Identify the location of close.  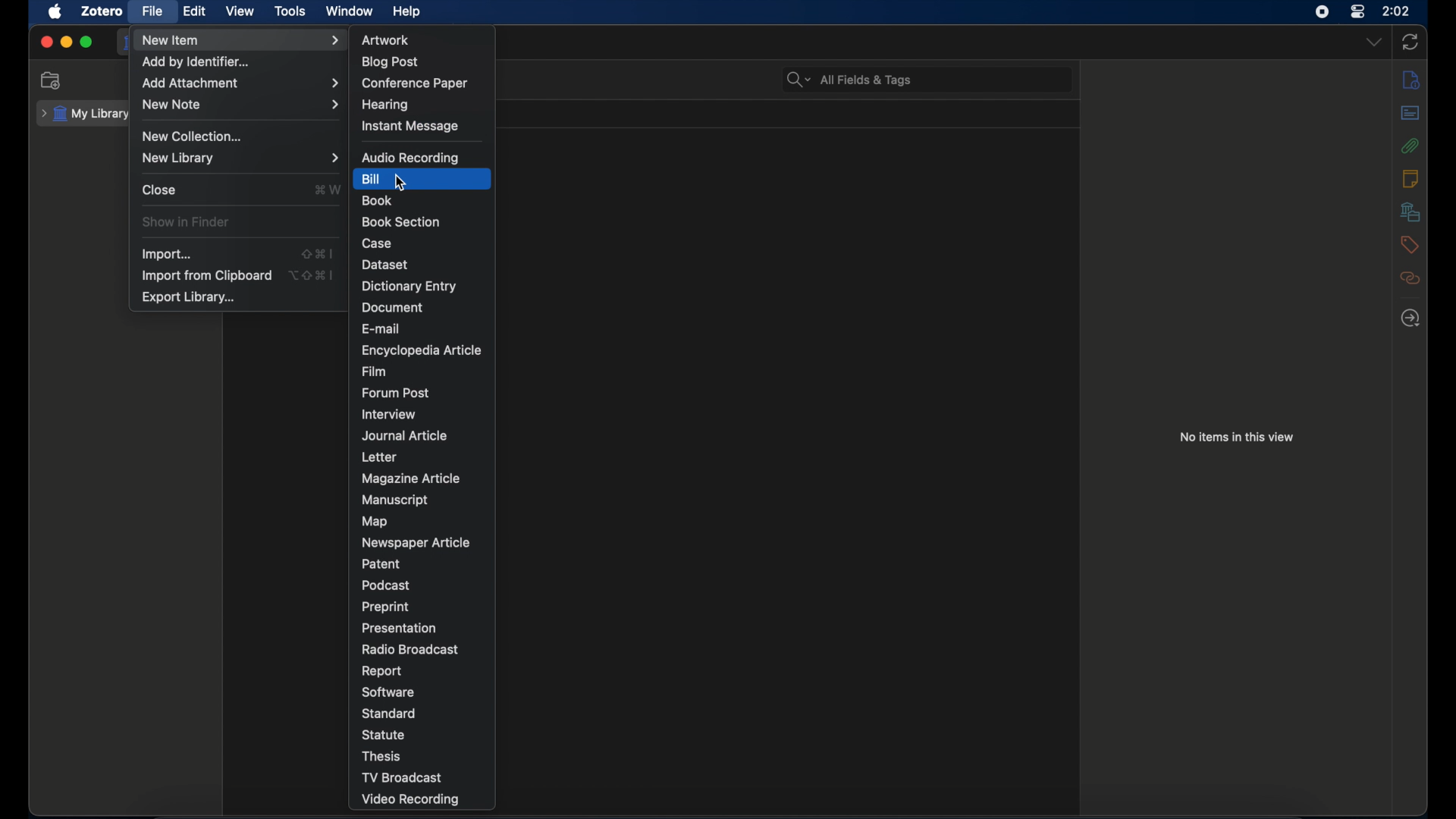
(45, 40).